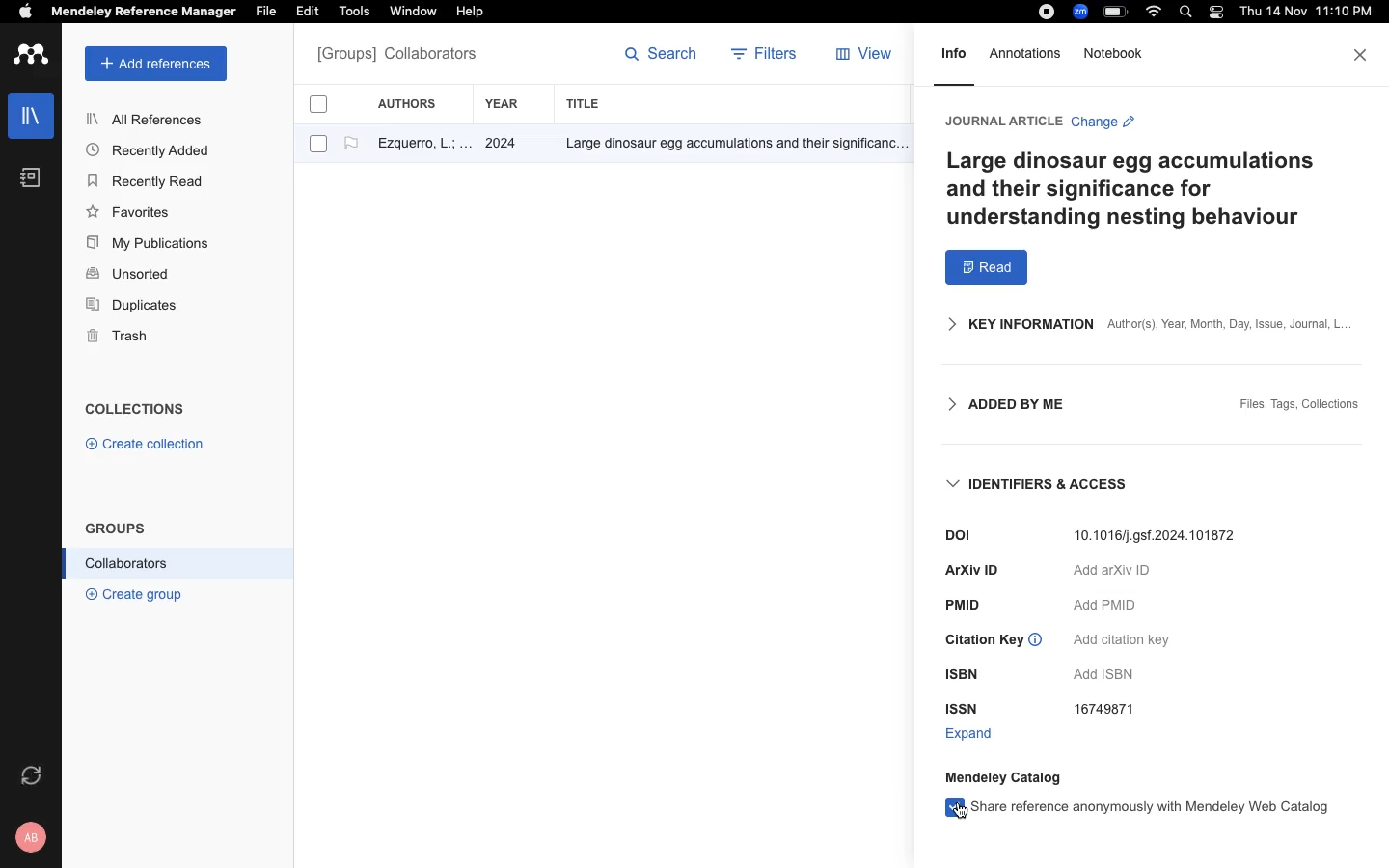 This screenshot has width=1389, height=868. I want to click on add references, so click(156, 64).